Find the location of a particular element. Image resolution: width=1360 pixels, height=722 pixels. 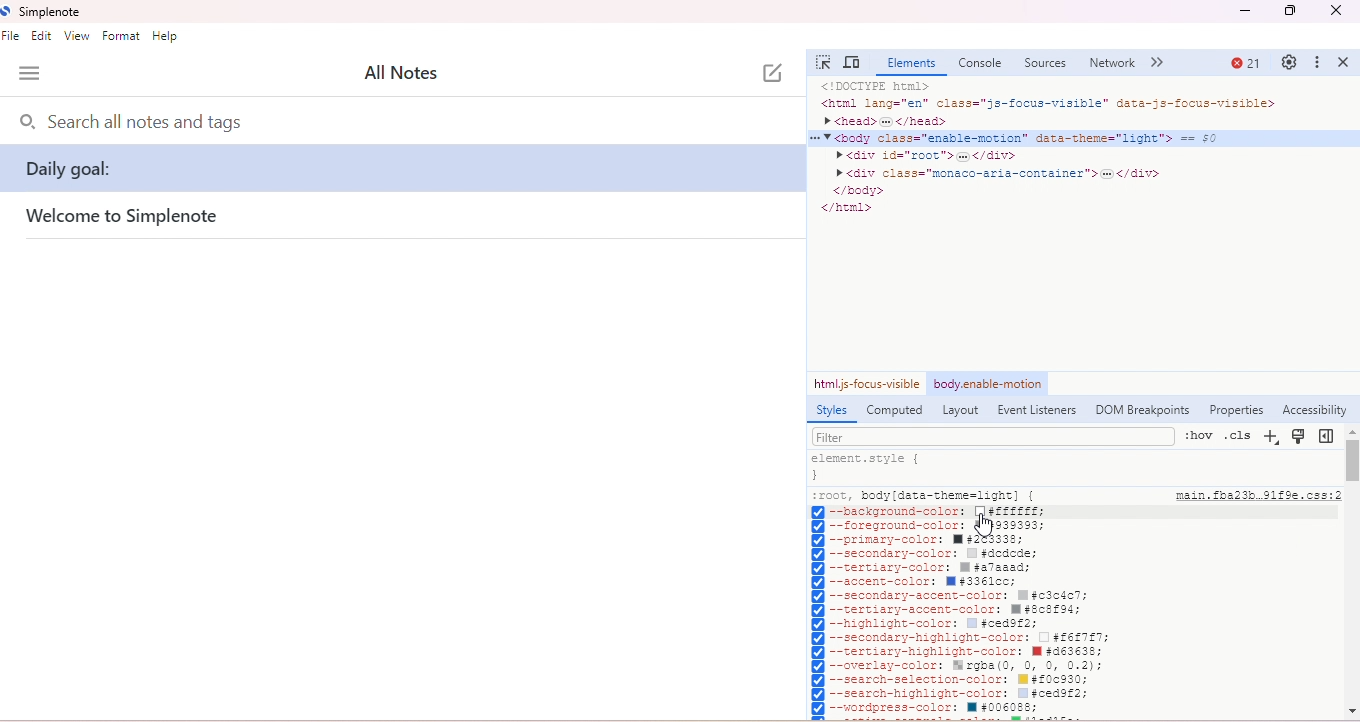

tertiary color is located at coordinates (926, 568).